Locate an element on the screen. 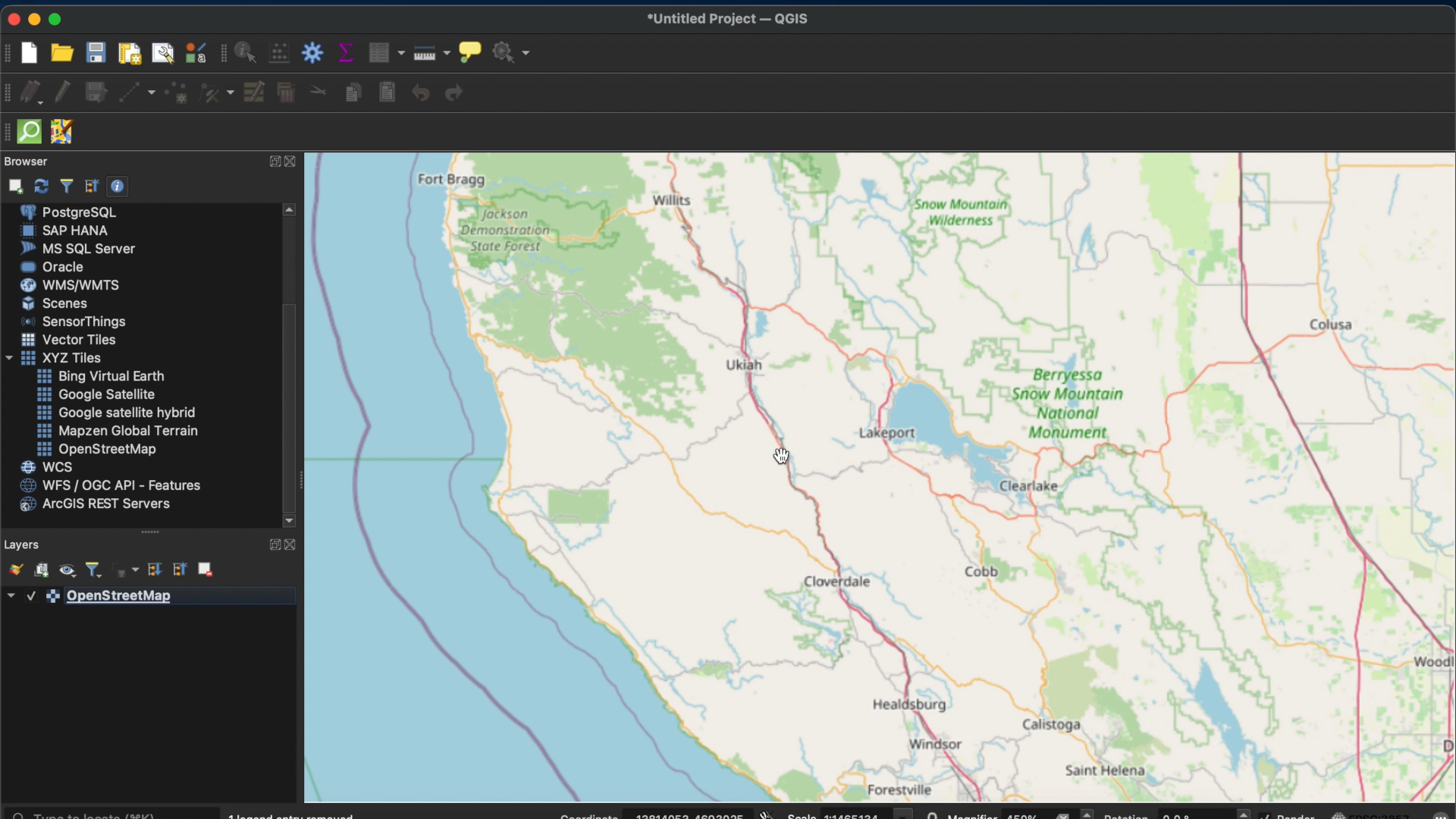 Image resolution: width=1456 pixels, height=819 pixels. attributes toolbar is located at coordinates (224, 54).